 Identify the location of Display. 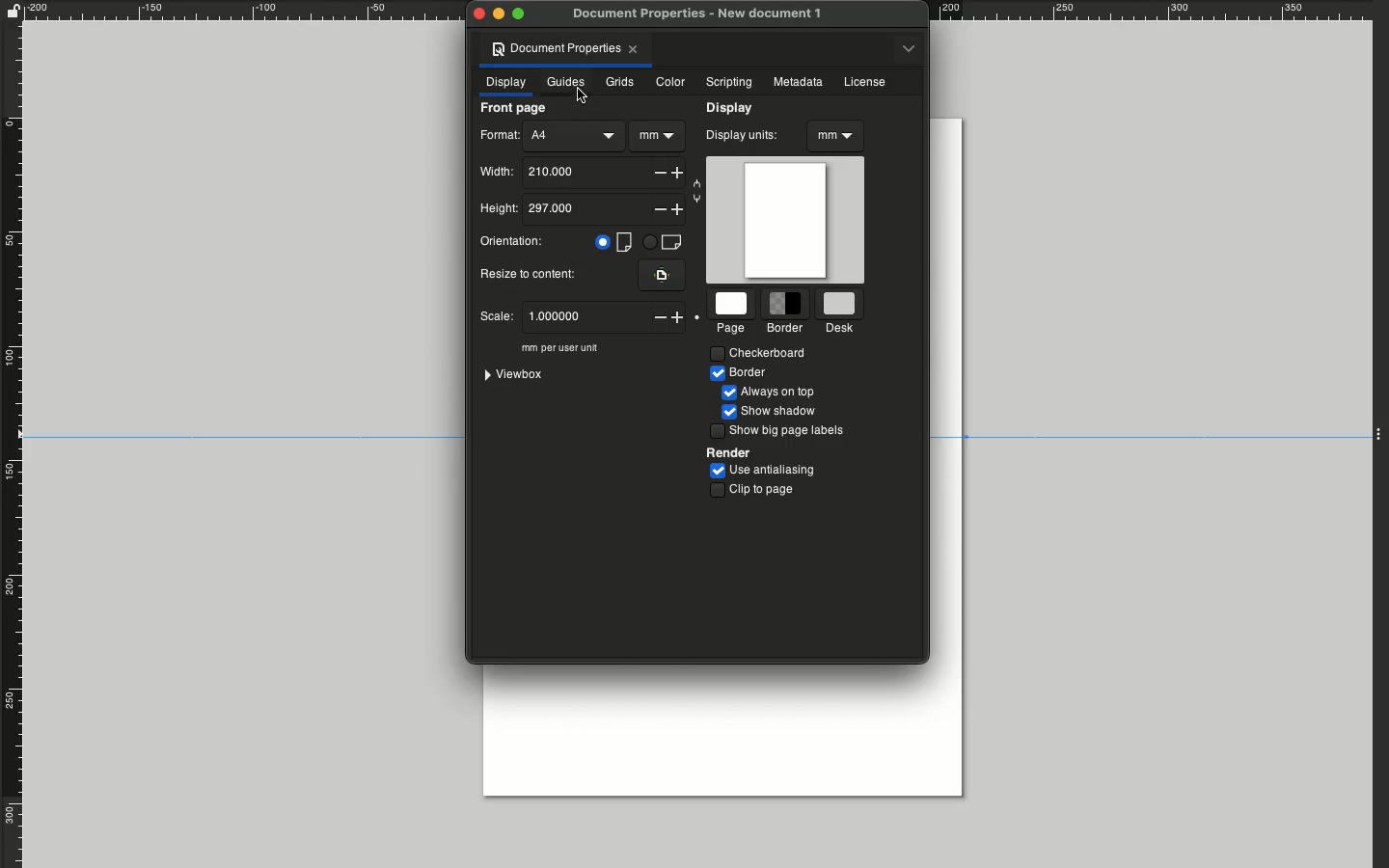
(733, 109).